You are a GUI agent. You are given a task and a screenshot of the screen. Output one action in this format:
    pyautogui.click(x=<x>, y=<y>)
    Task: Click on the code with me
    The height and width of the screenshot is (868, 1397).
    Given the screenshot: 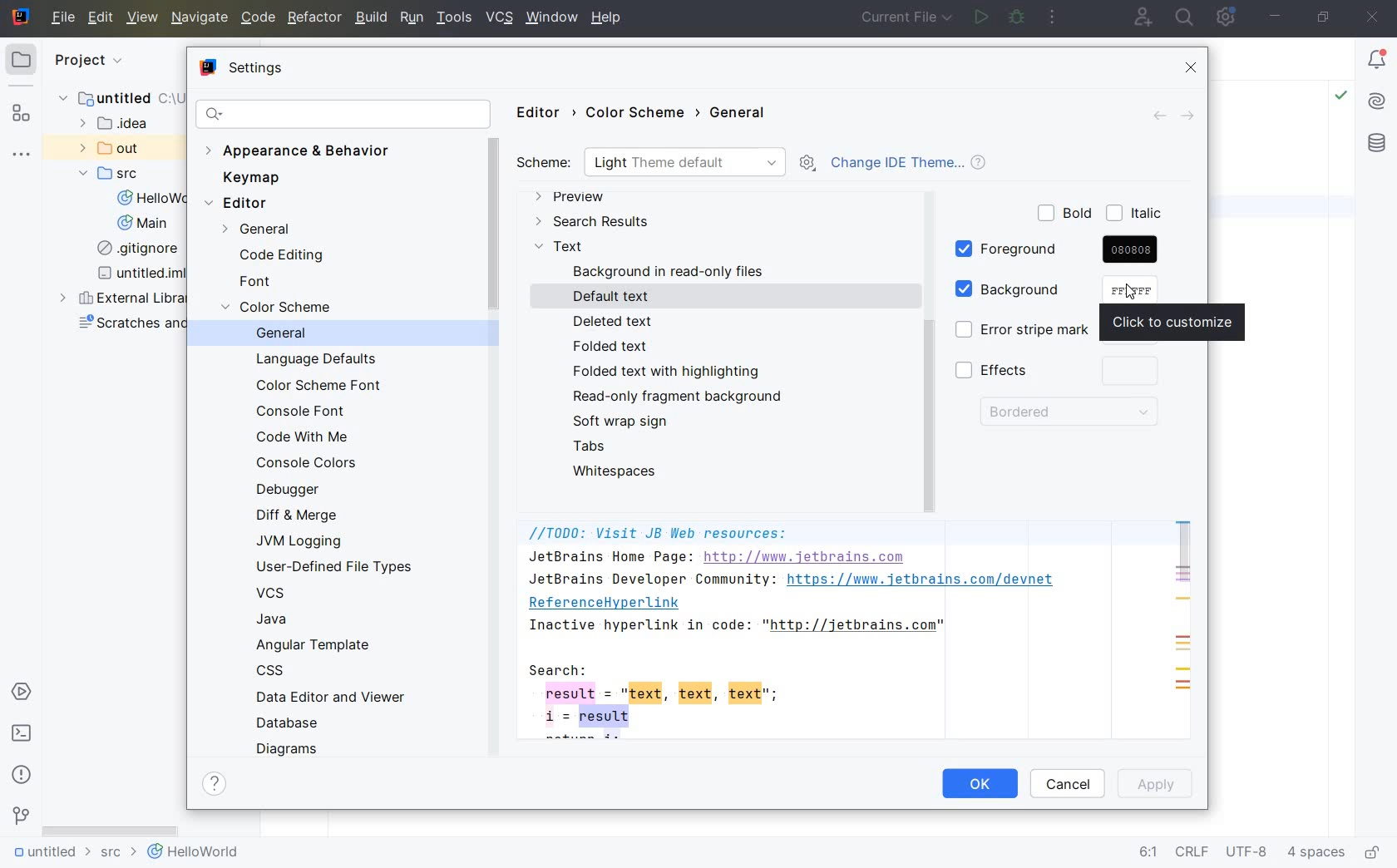 What is the action you would take?
    pyautogui.click(x=1141, y=17)
    